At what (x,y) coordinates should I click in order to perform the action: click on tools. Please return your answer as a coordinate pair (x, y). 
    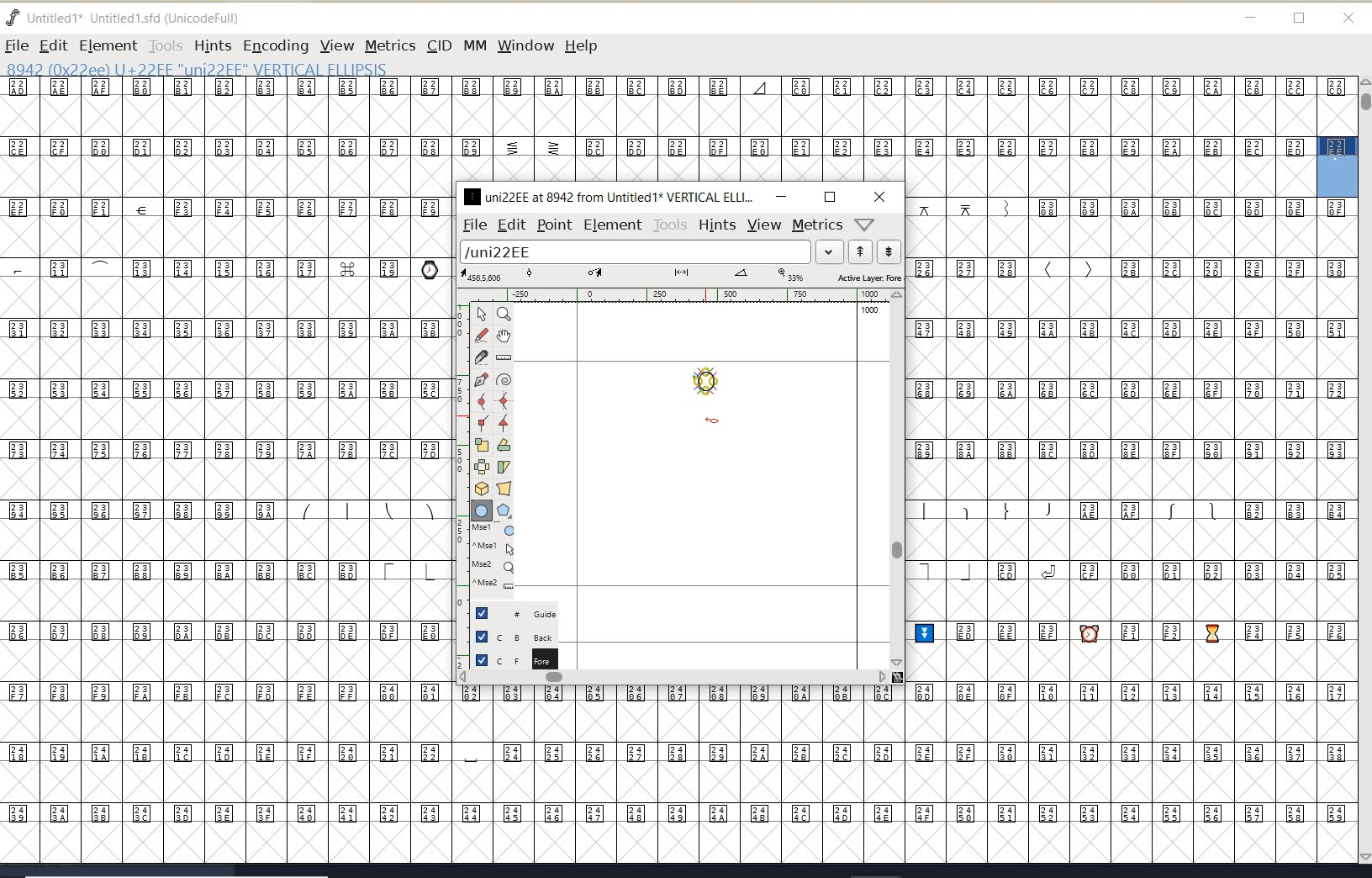
    Looking at the image, I should click on (671, 225).